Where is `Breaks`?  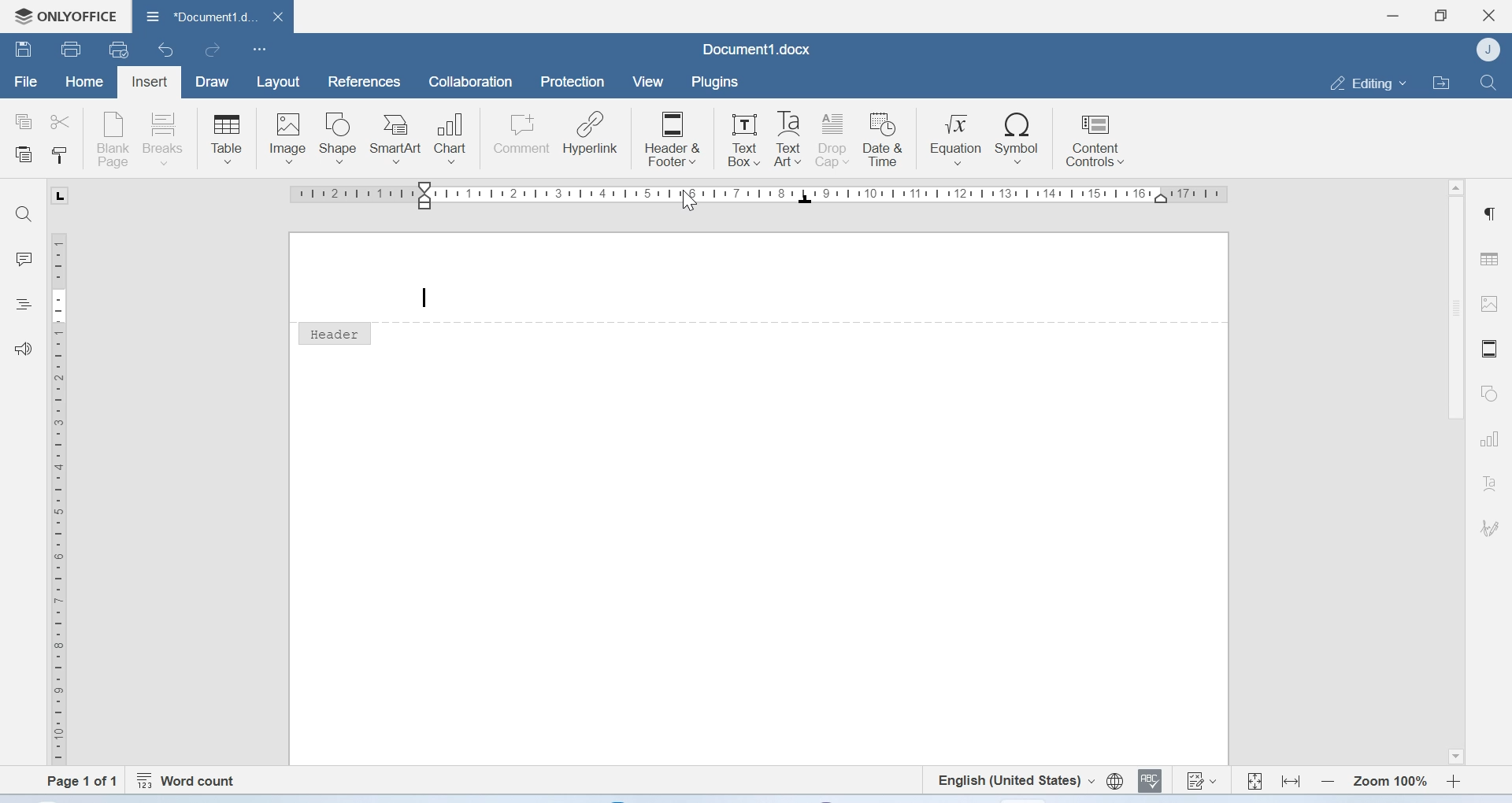 Breaks is located at coordinates (168, 138).